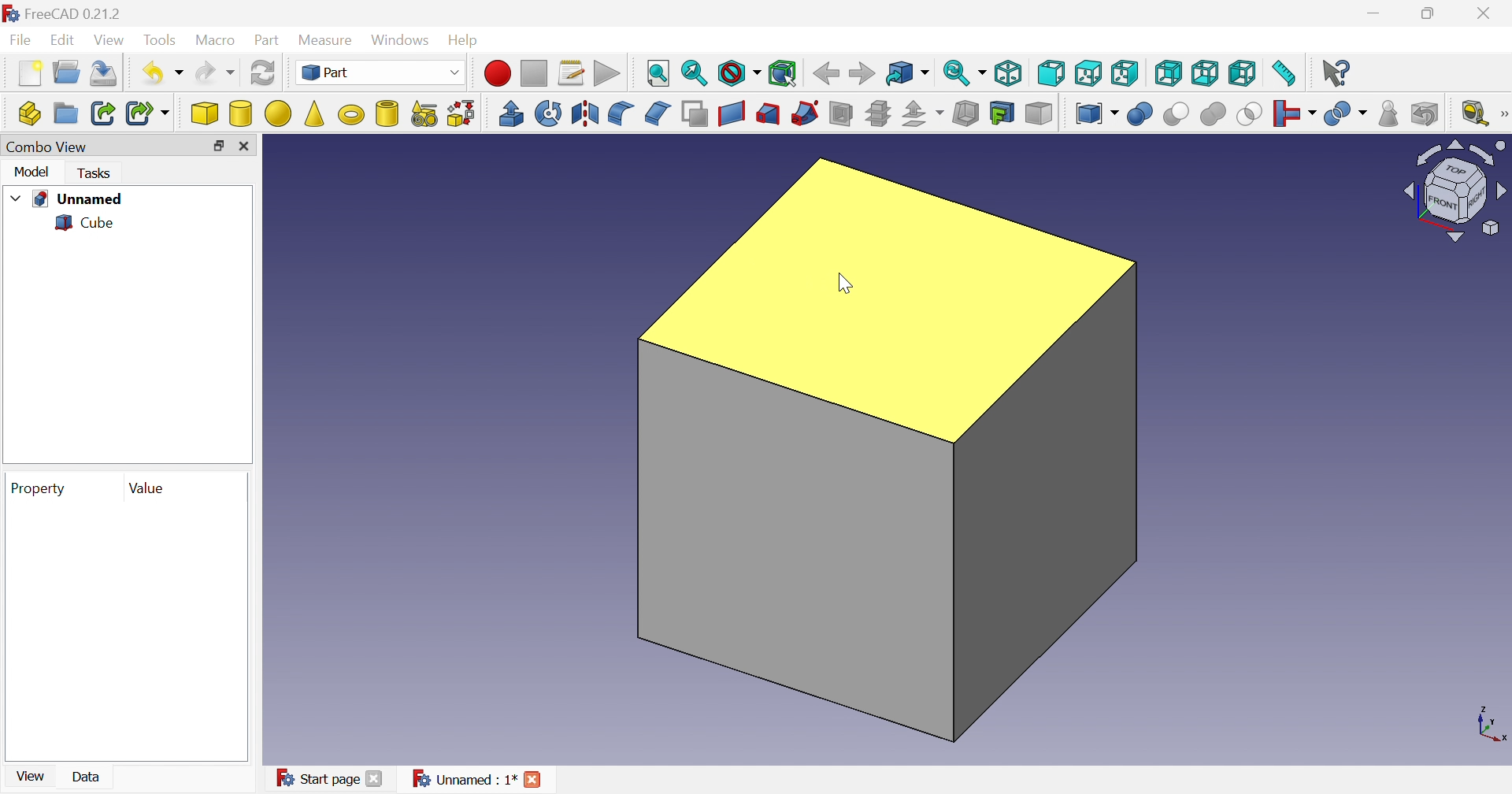 This screenshot has width=1512, height=794. Describe the element at coordinates (1426, 112) in the screenshot. I see `Defeaturing` at that location.